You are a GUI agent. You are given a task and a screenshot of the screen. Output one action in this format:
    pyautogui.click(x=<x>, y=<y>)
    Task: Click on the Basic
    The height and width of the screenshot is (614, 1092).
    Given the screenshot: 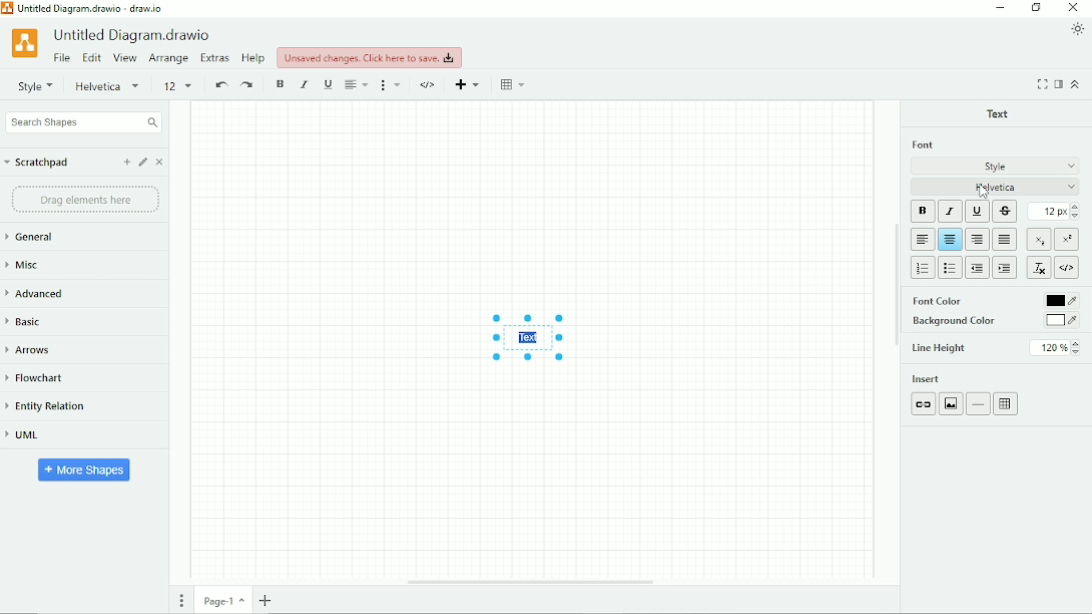 What is the action you would take?
    pyautogui.click(x=38, y=321)
    